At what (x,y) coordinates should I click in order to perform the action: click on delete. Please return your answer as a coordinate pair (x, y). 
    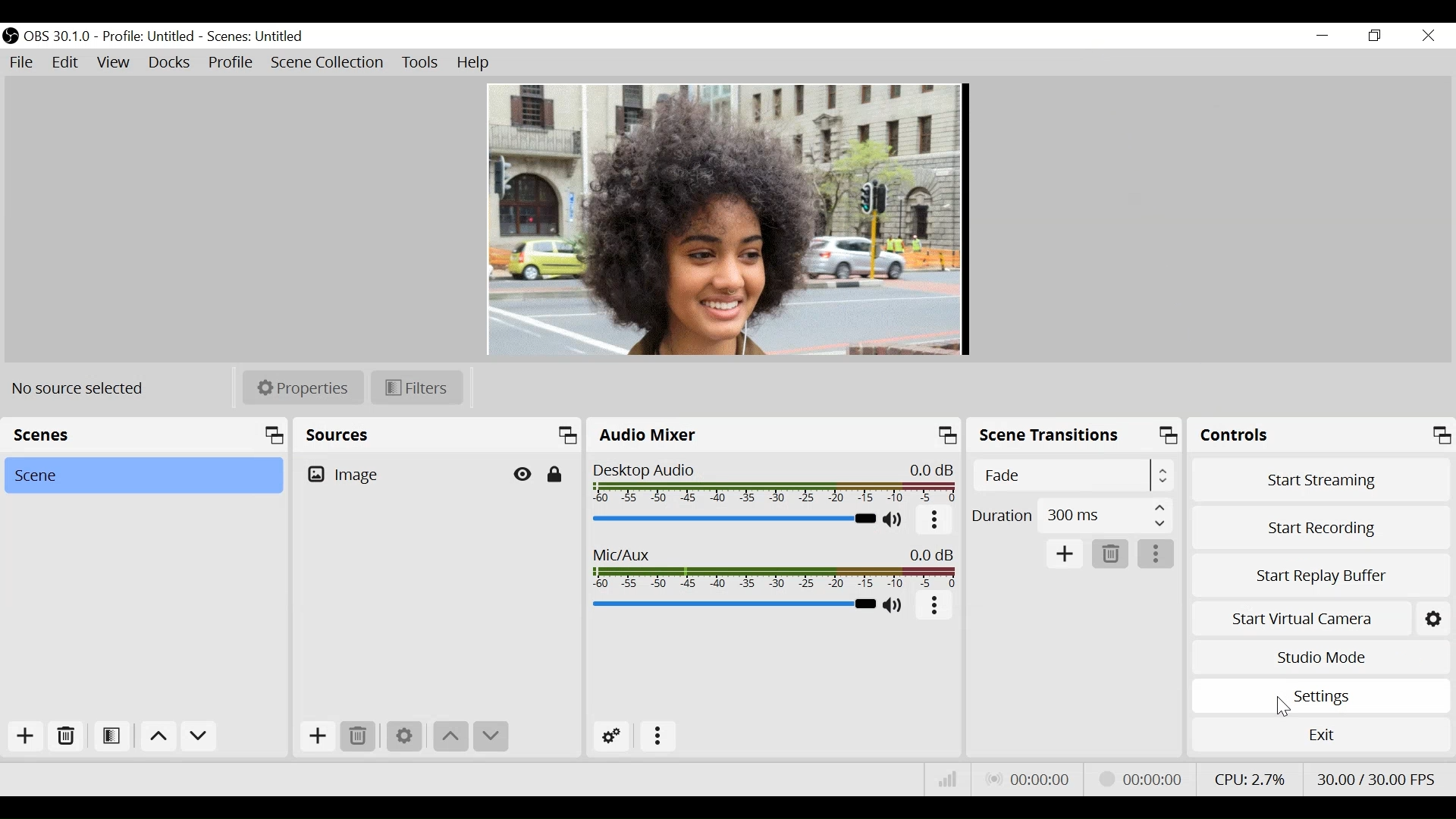
    Looking at the image, I should click on (1111, 554).